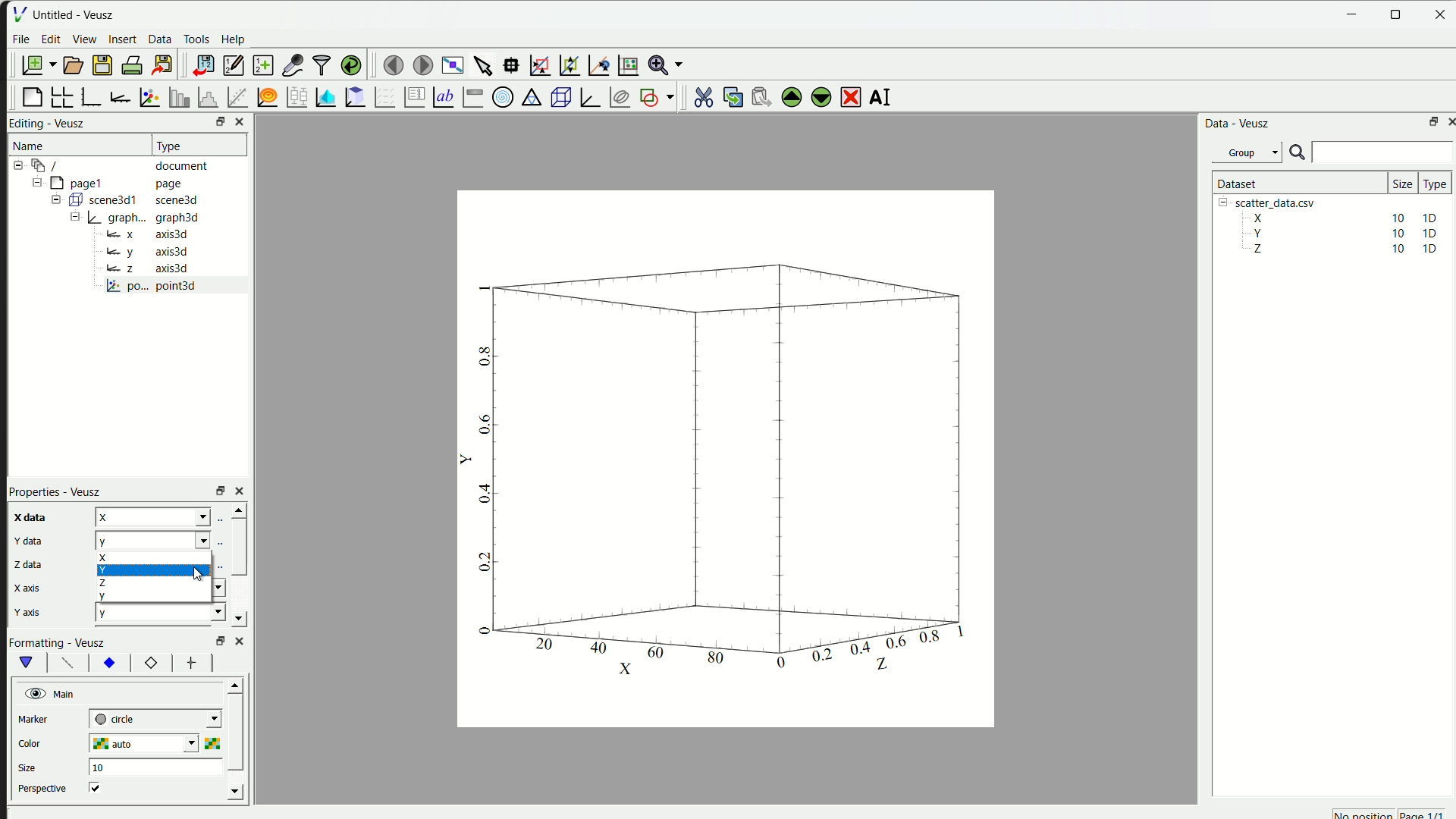  I want to click on plot dataset, so click(323, 96).